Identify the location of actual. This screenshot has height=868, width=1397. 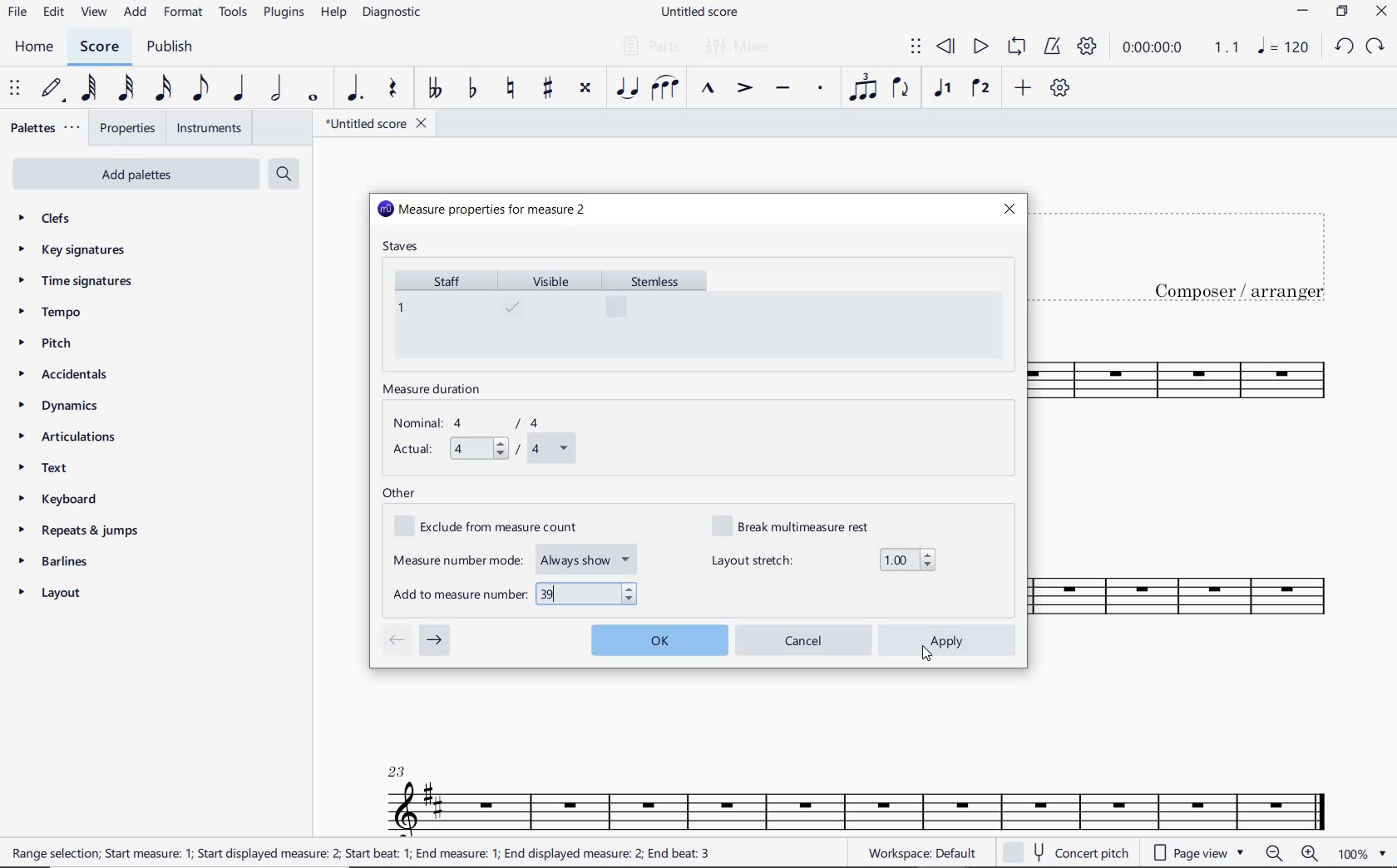
(481, 450).